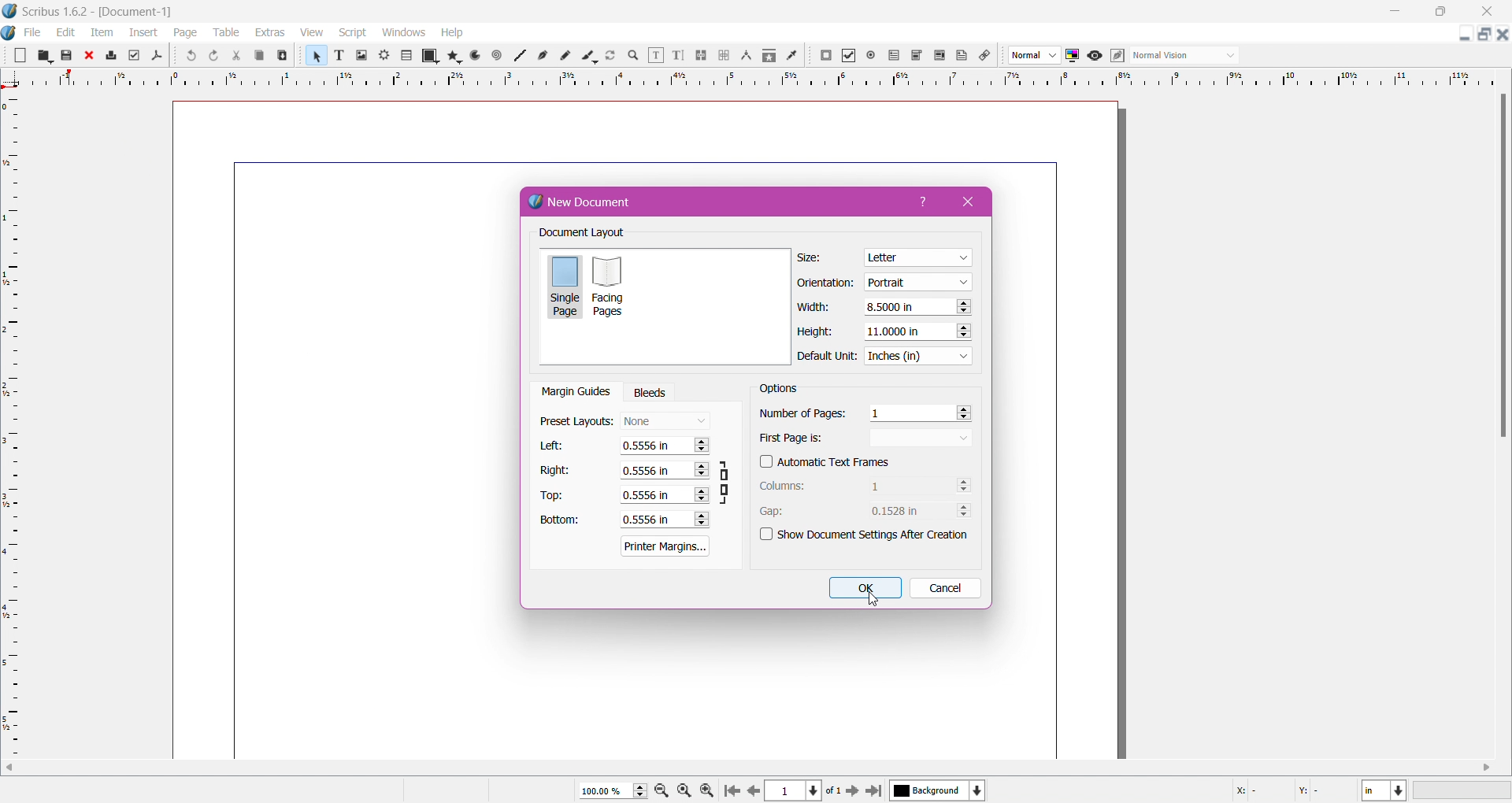  What do you see at coordinates (189, 54) in the screenshot?
I see `icon` at bounding box center [189, 54].